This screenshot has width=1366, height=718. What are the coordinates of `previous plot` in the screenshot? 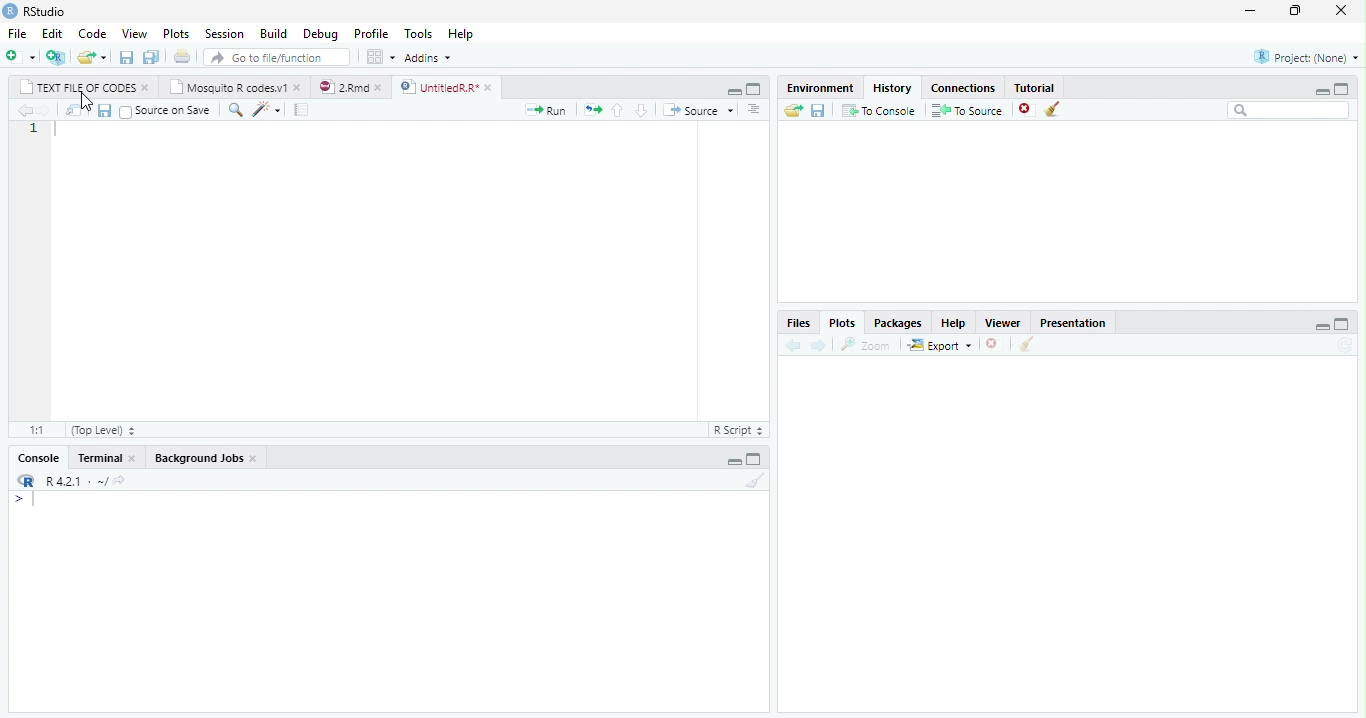 It's located at (793, 346).